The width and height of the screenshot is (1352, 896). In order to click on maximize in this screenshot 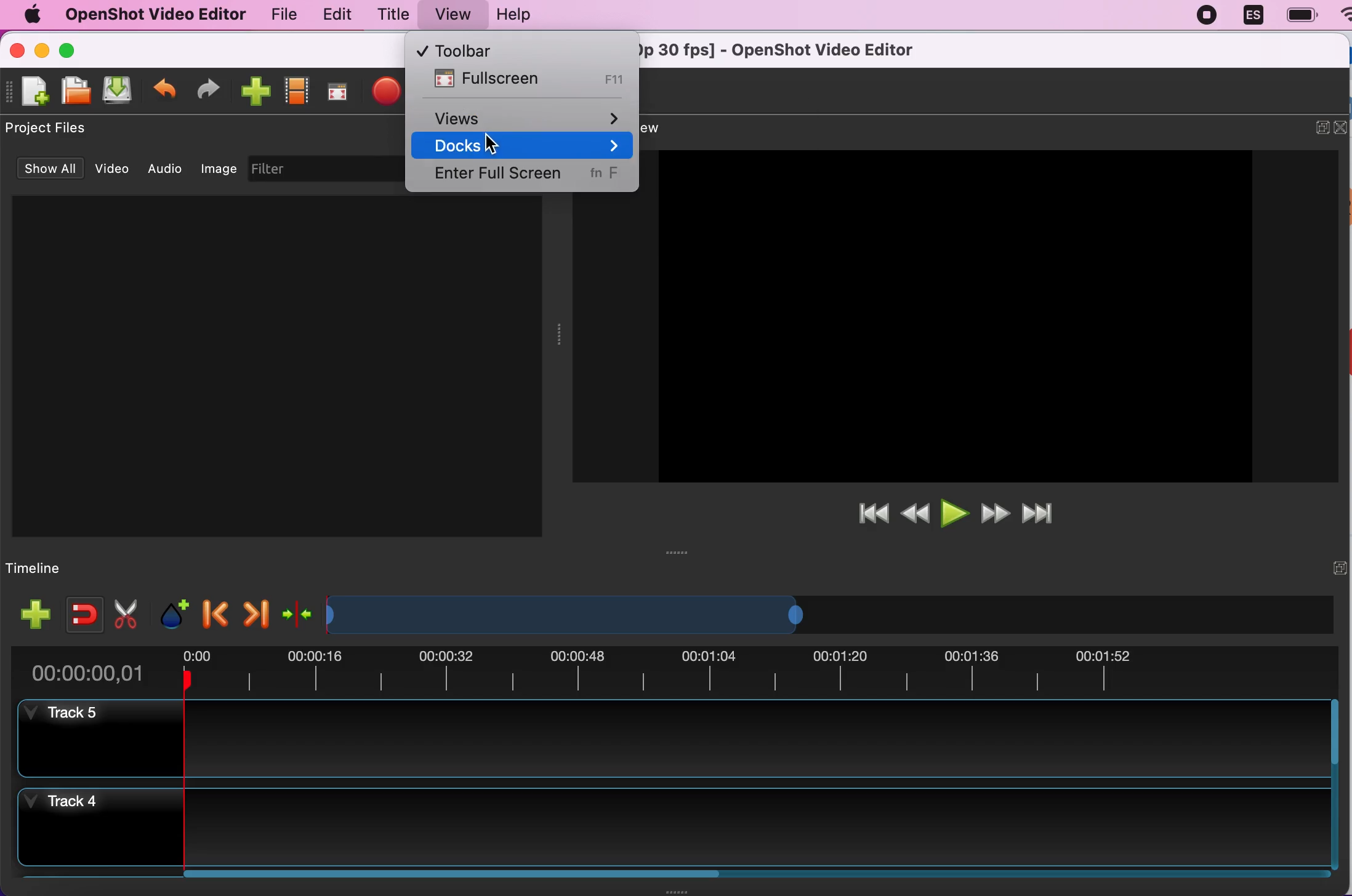, I will do `click(71, 49)`.